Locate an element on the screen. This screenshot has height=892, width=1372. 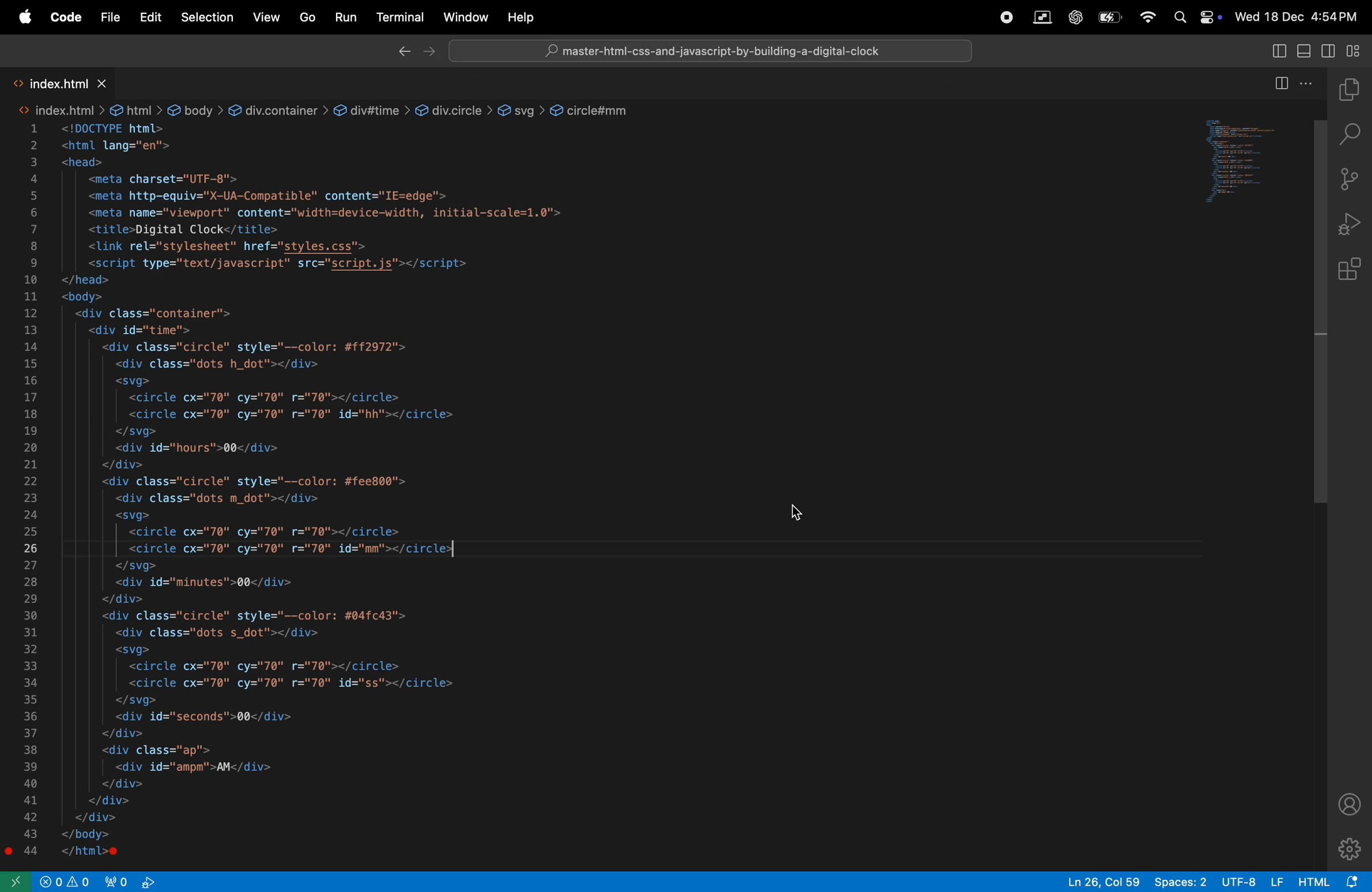
customize layout is located at coordinates (1354, 51).